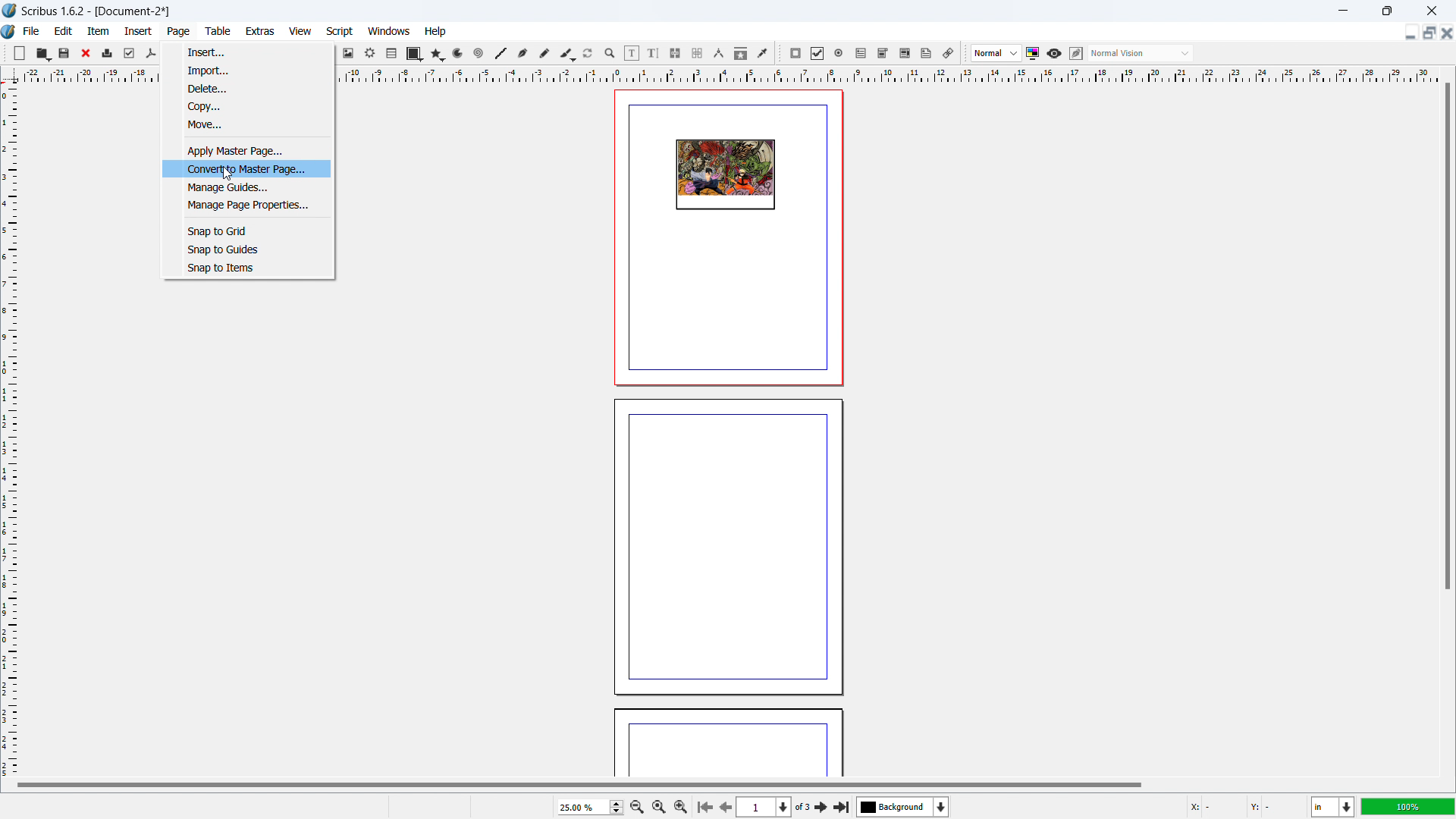  I want to click on snap to items, so click(247, 268).